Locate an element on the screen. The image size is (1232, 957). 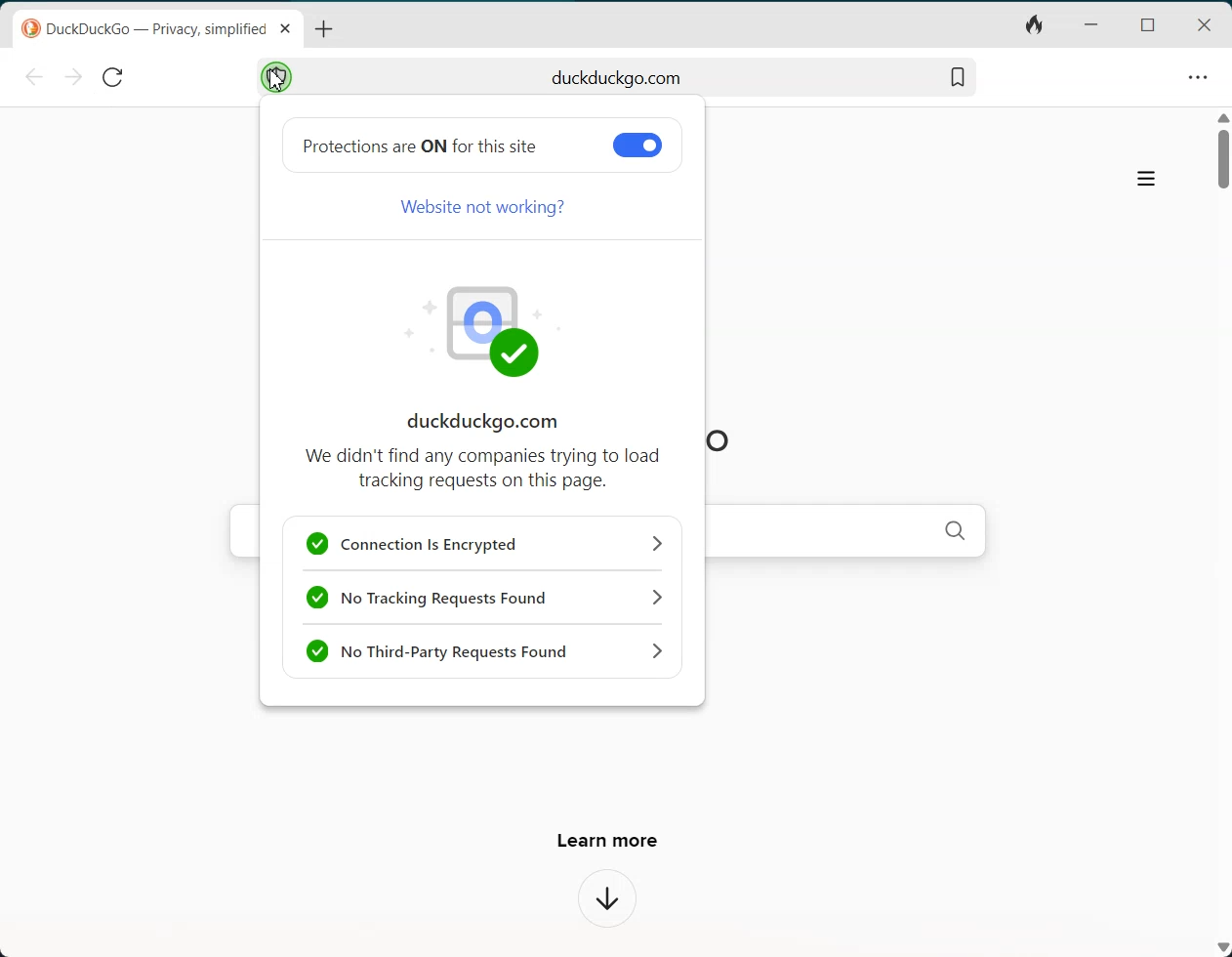
Minimize is located at coordinates (1090, 25).